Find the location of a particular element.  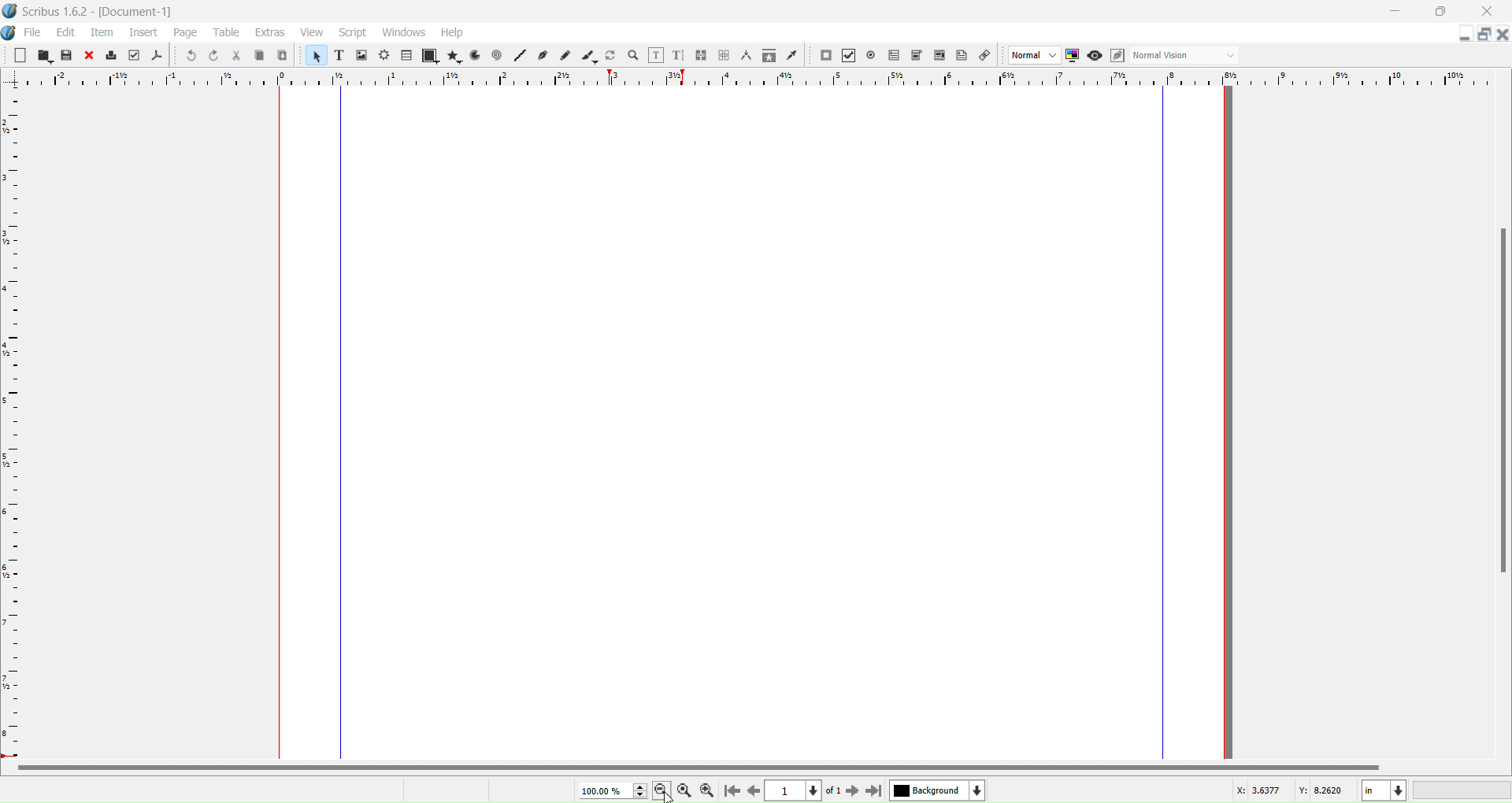

Item is located at coordinates (103, 33).